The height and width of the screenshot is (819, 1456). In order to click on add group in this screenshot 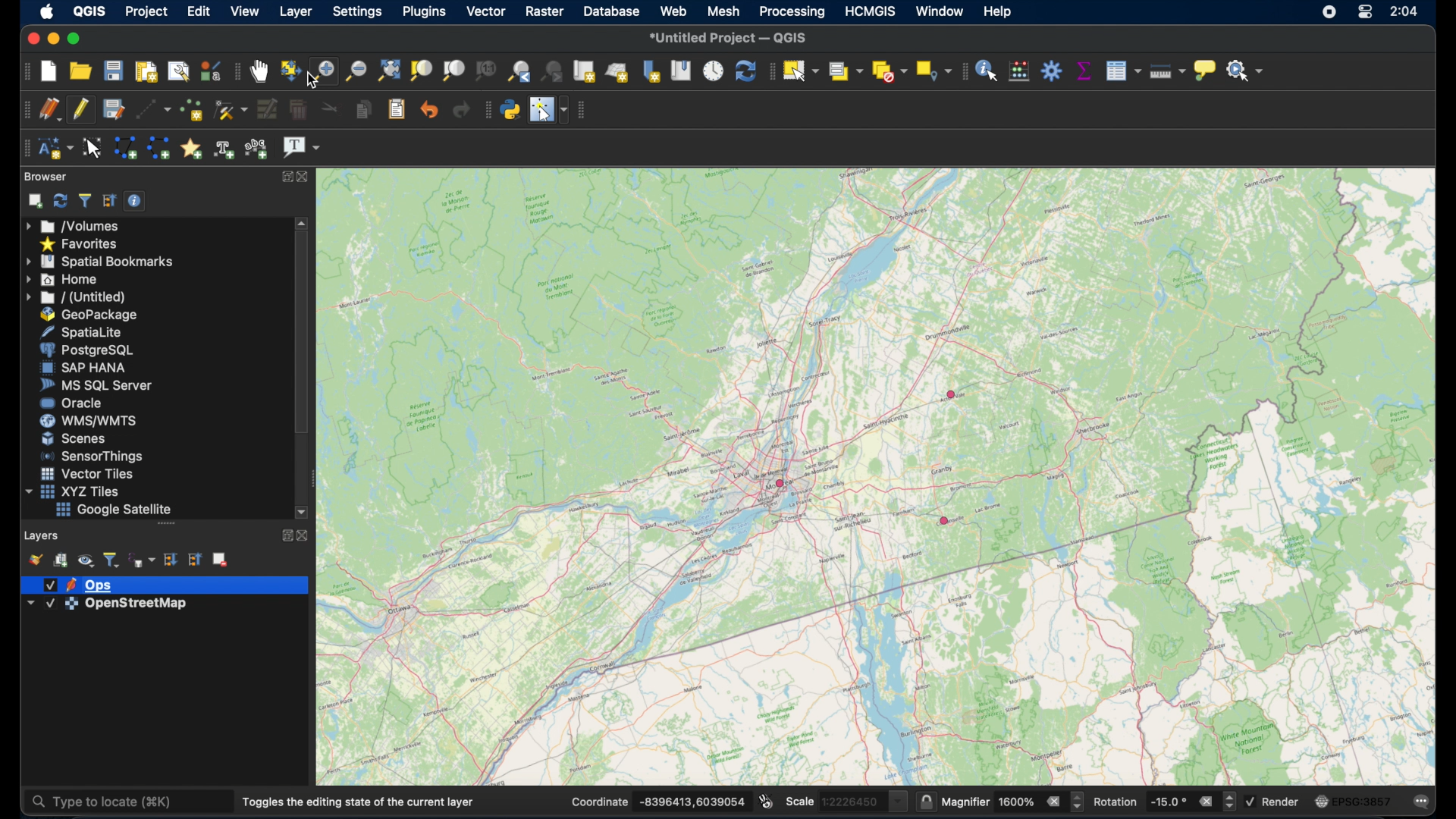, I will do `click(60, 560)`.